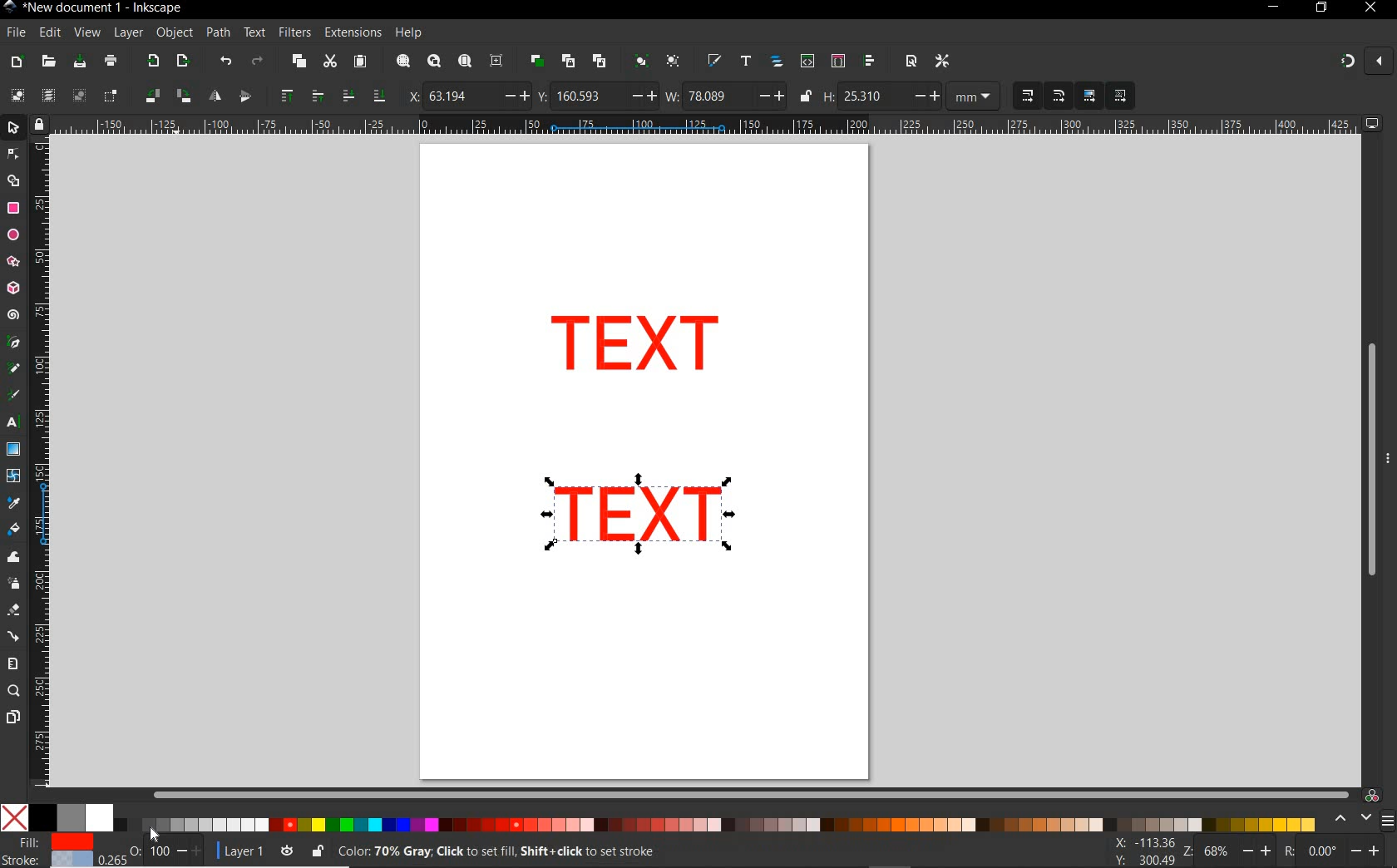 The width and height of the screenshot is (1397, 868). Describe the element at coordinates (175, 33) in the screenshot. I see `object` at that location.